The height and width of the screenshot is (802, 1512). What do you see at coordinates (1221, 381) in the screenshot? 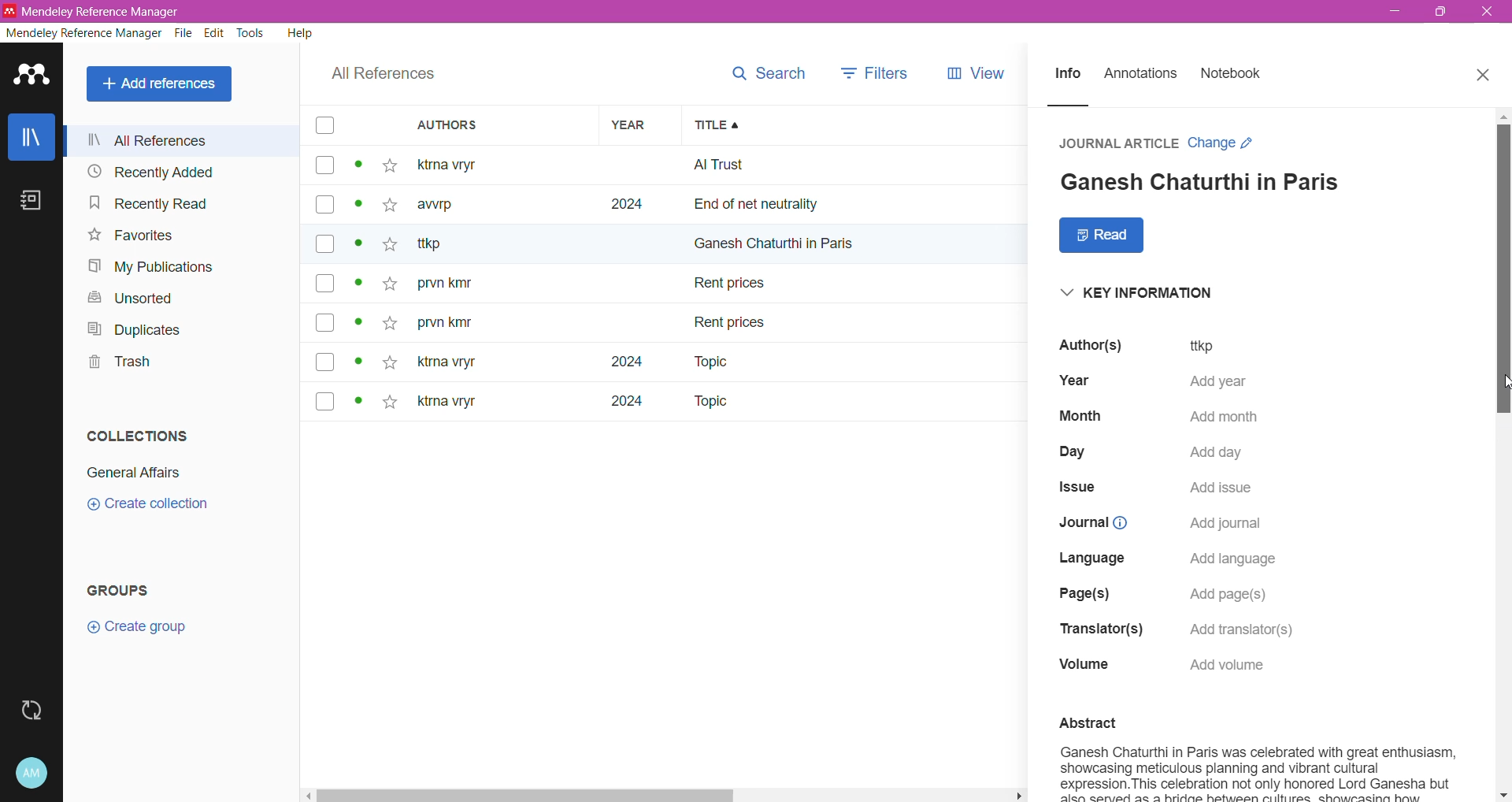
I see `Click to add year` at bounding box center [1221, 381].